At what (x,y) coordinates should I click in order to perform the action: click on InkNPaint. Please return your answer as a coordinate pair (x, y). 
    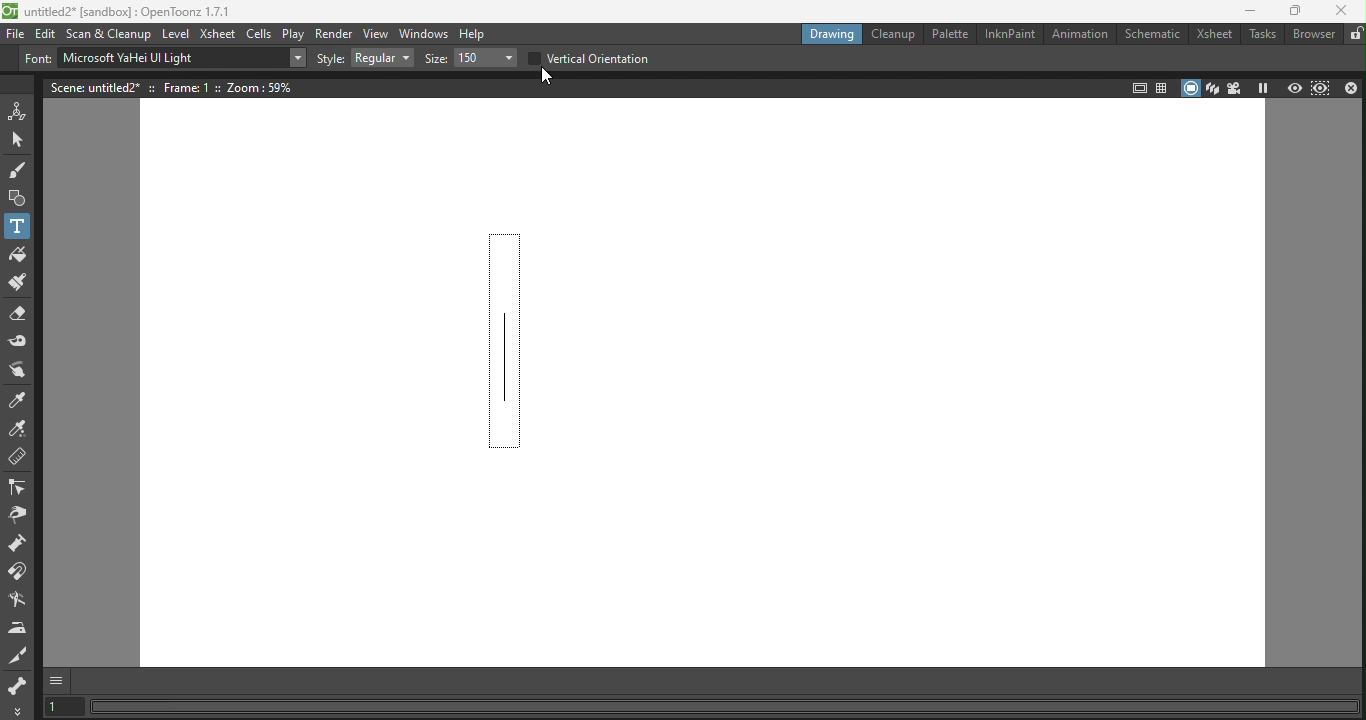
    Looking at the image, I should click on (1009, 35).